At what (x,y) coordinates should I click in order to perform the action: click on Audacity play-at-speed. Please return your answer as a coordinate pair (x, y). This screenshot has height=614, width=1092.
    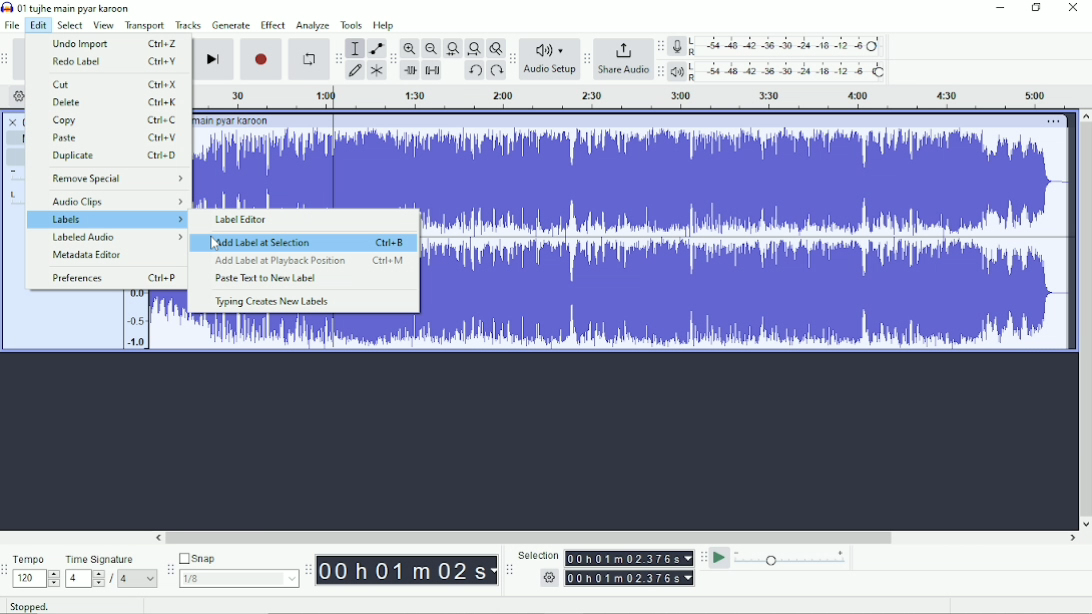
    Looking at the image, I should click on (703, 558).